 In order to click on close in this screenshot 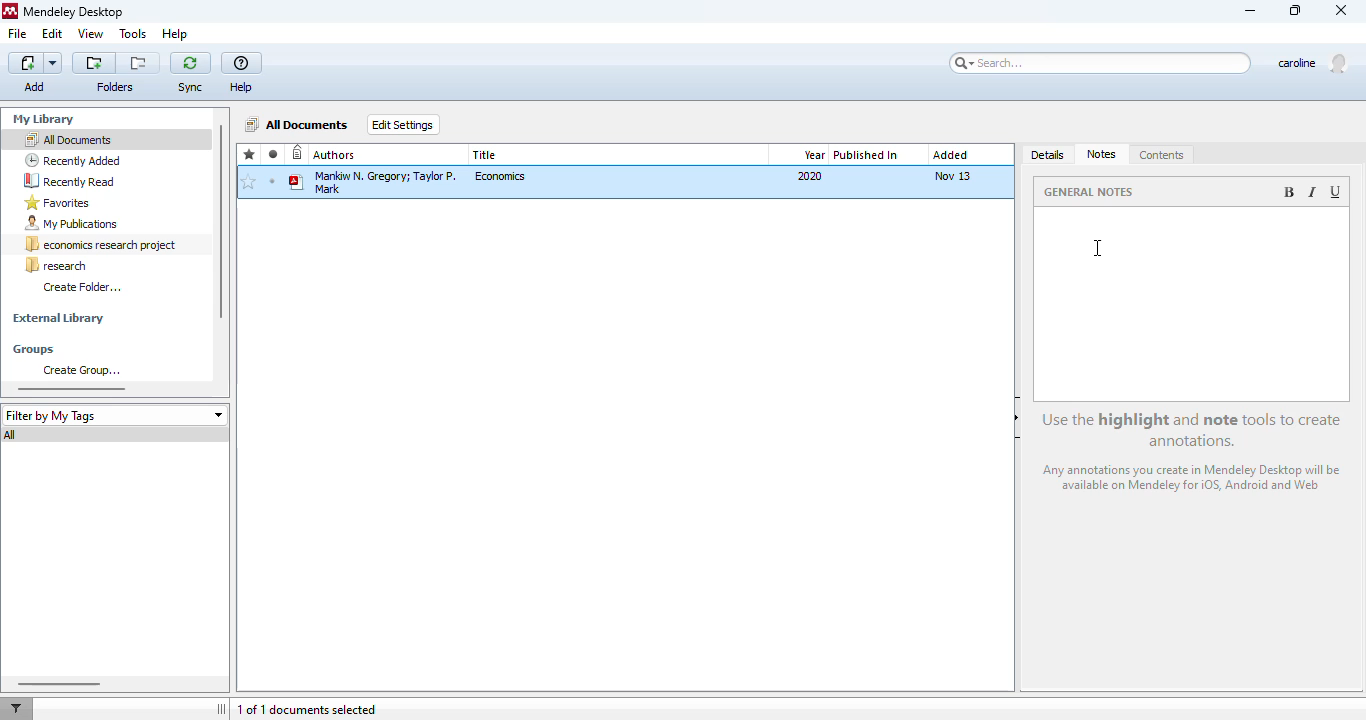, I will do `click(1343, 11)`.